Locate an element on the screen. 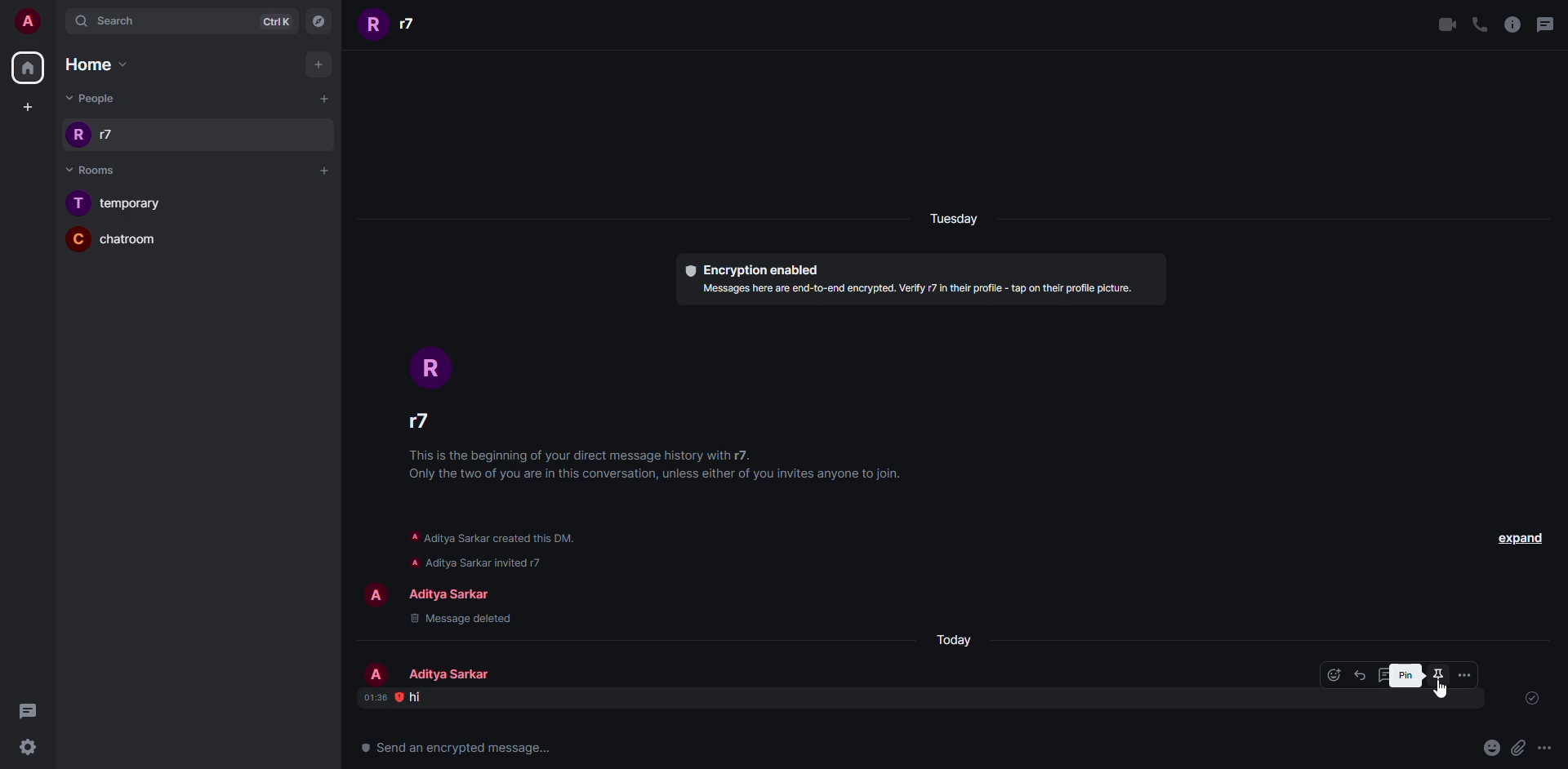 The width and height of the screenshot is (1568, 769). voice call is located at coordinates (1481, 24).